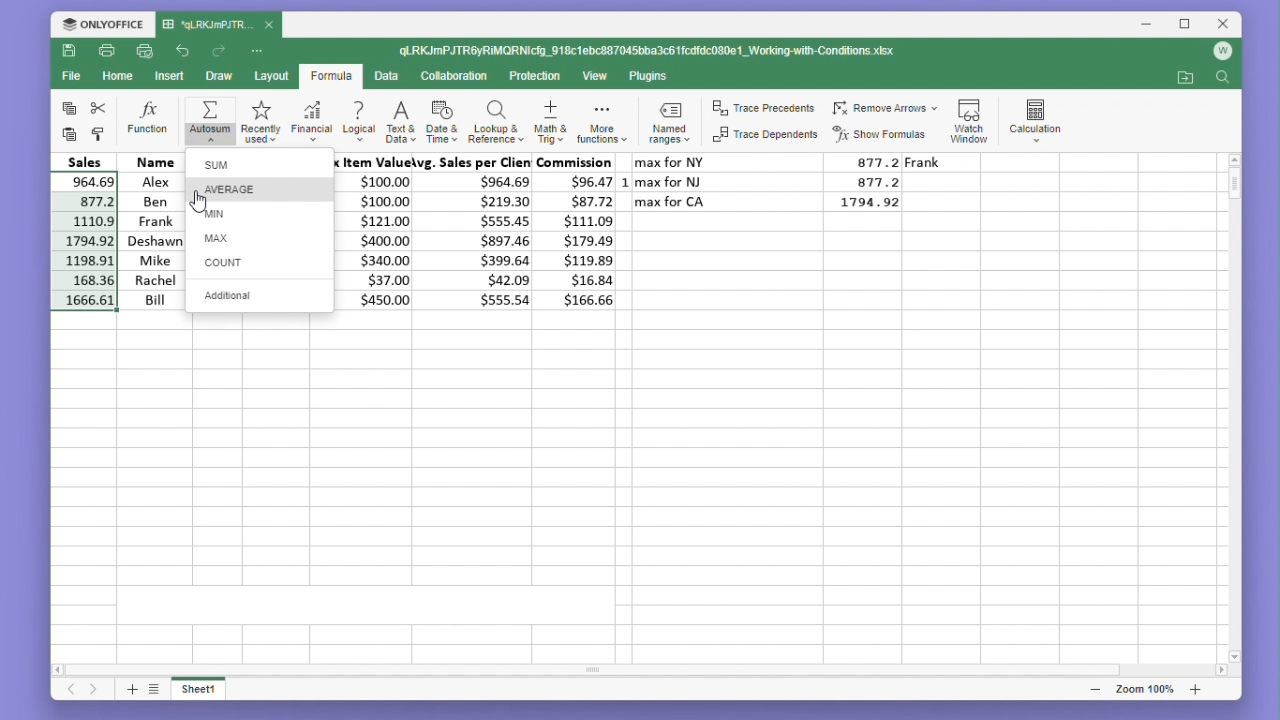 Image resolution: width=1280 pixels, height=720 pixels. I want to click on cut, so click(99, 108).